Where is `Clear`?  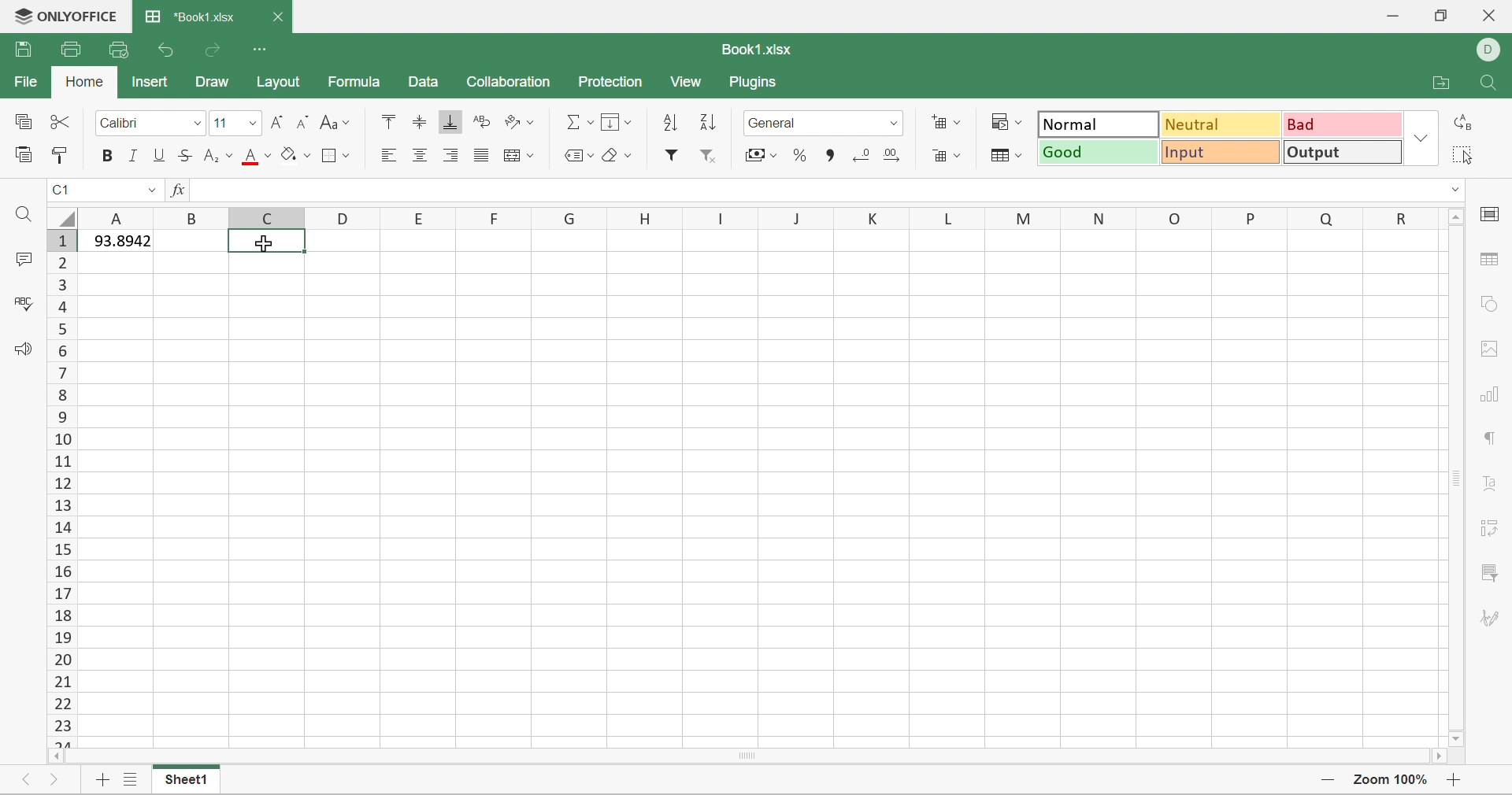 Clear is located at coordinates (617, 156).